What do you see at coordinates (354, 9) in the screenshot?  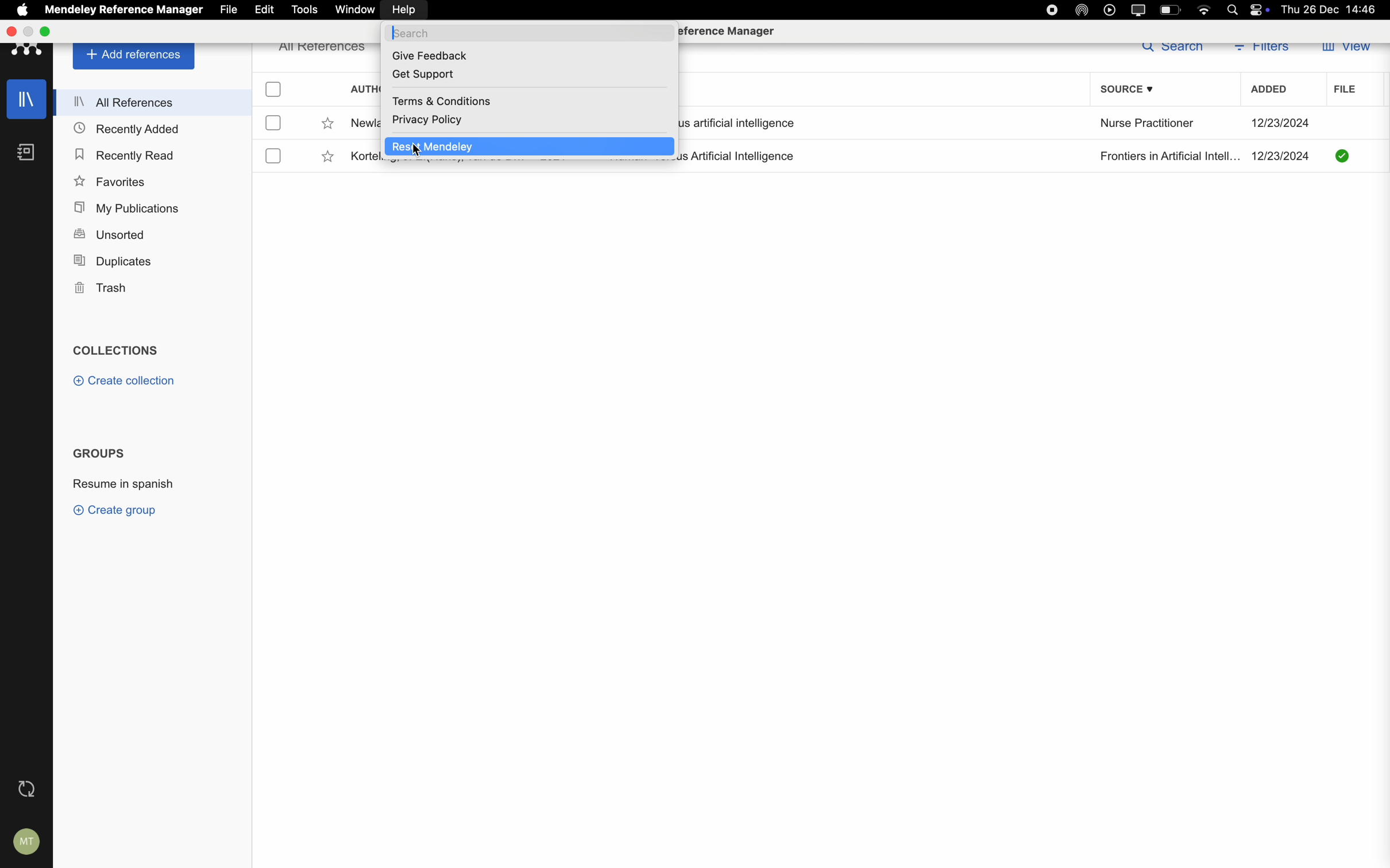 I see `window` at bounding box center [354, 9].